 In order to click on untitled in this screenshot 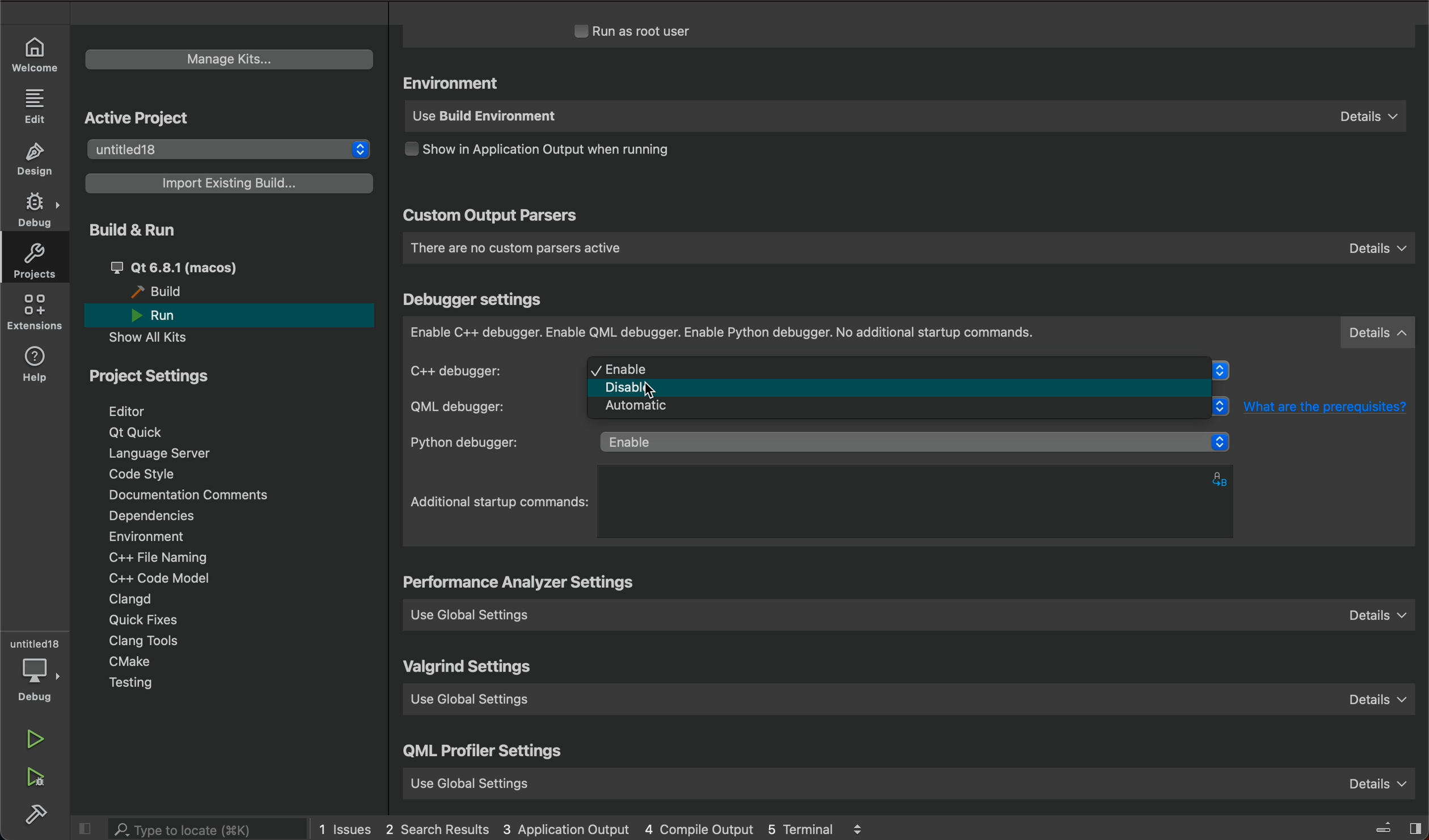, I will do `click(225, 147)`.